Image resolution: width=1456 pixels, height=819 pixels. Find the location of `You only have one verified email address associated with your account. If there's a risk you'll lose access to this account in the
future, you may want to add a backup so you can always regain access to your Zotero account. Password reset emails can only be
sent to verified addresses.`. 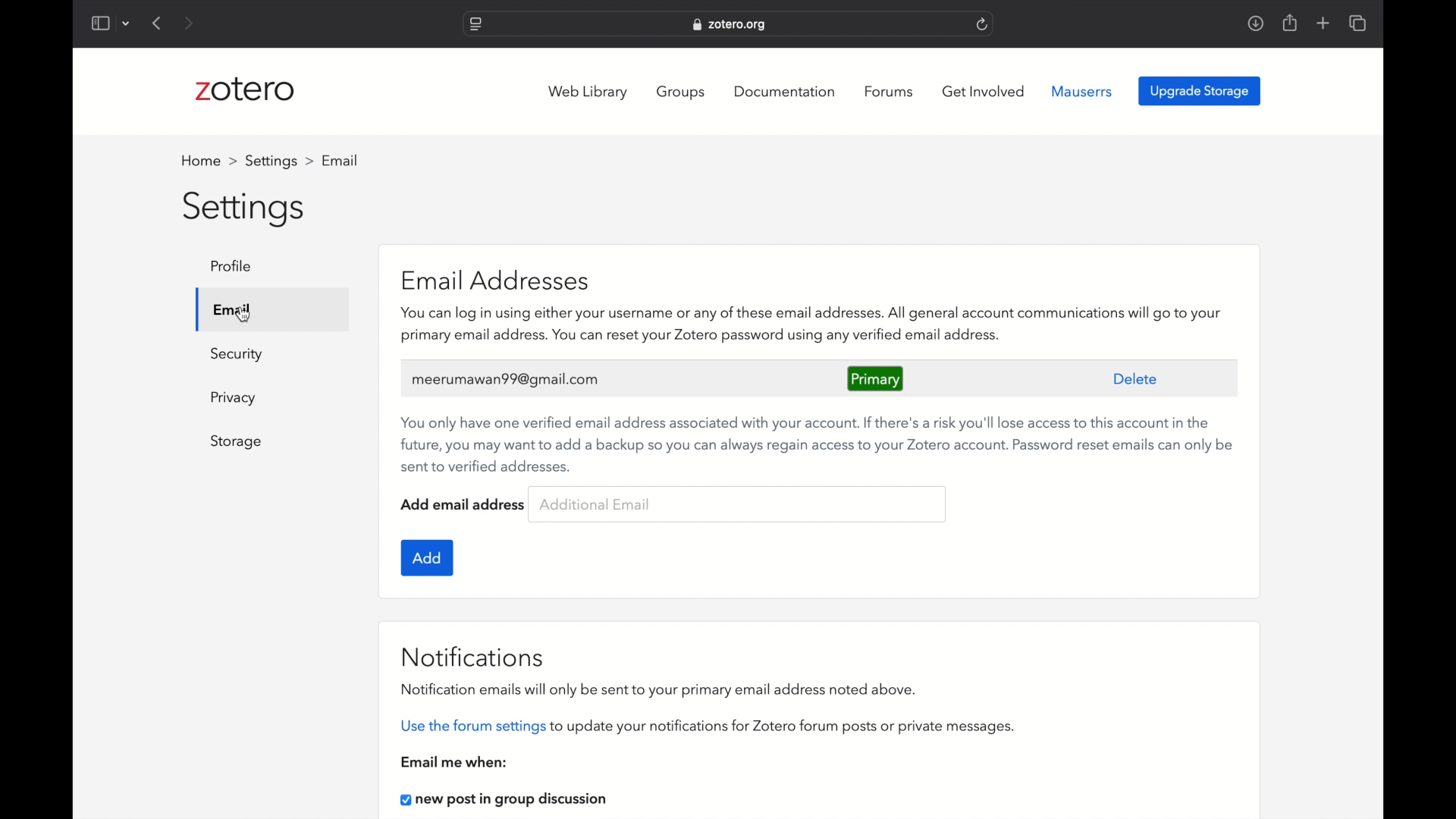

You only have one verified email address associated with your account. If there's a risk you'll lose access to this account in the
future, you may want to add a backup so you can always regain access to your Zotero account. Password reset emails can only be
sent to verified addresses. is located at coordinates (817, 444).